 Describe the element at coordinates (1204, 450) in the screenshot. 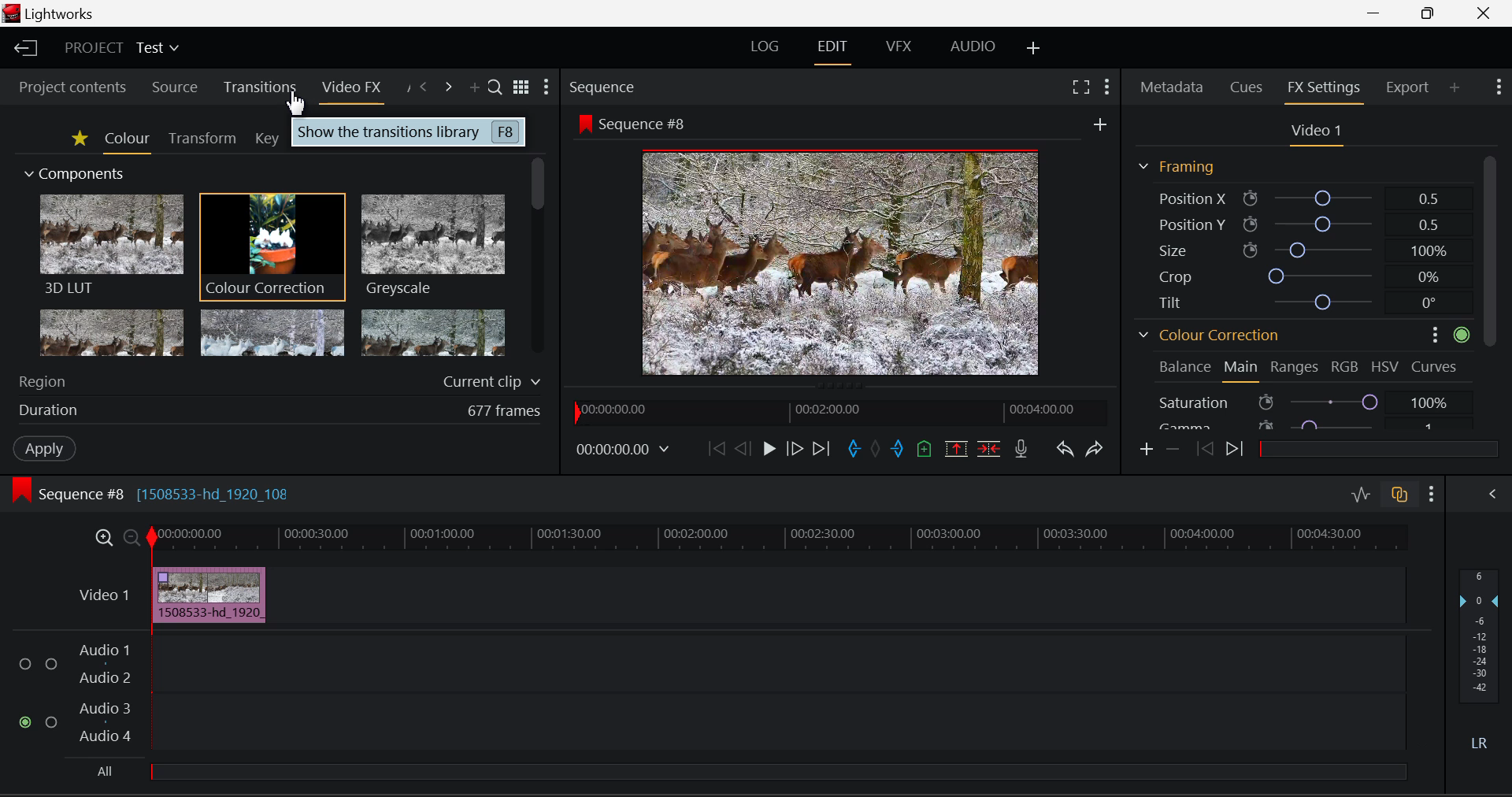

I see `Previous keyframe` at that location.